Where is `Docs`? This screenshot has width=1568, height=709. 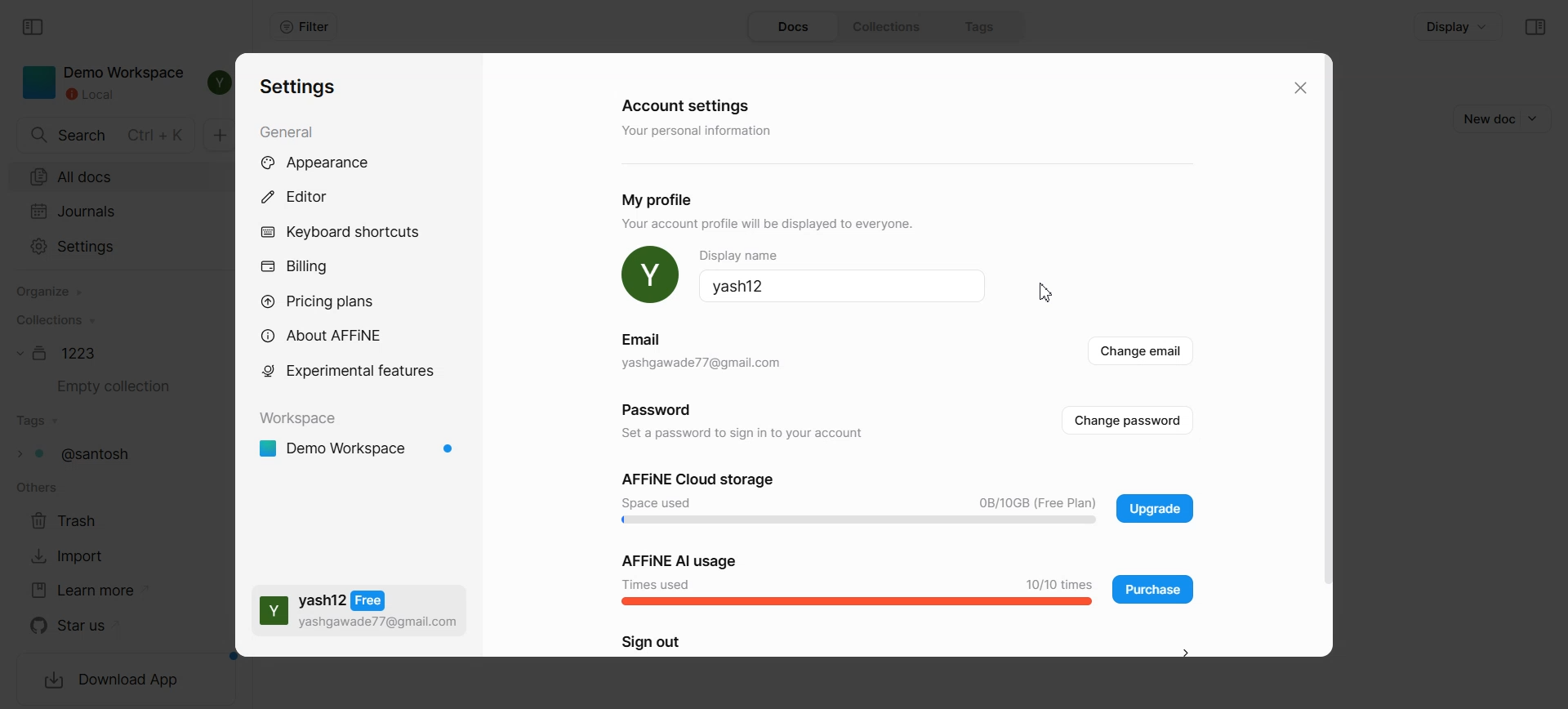 Docs is located at coordinates (795, 27).